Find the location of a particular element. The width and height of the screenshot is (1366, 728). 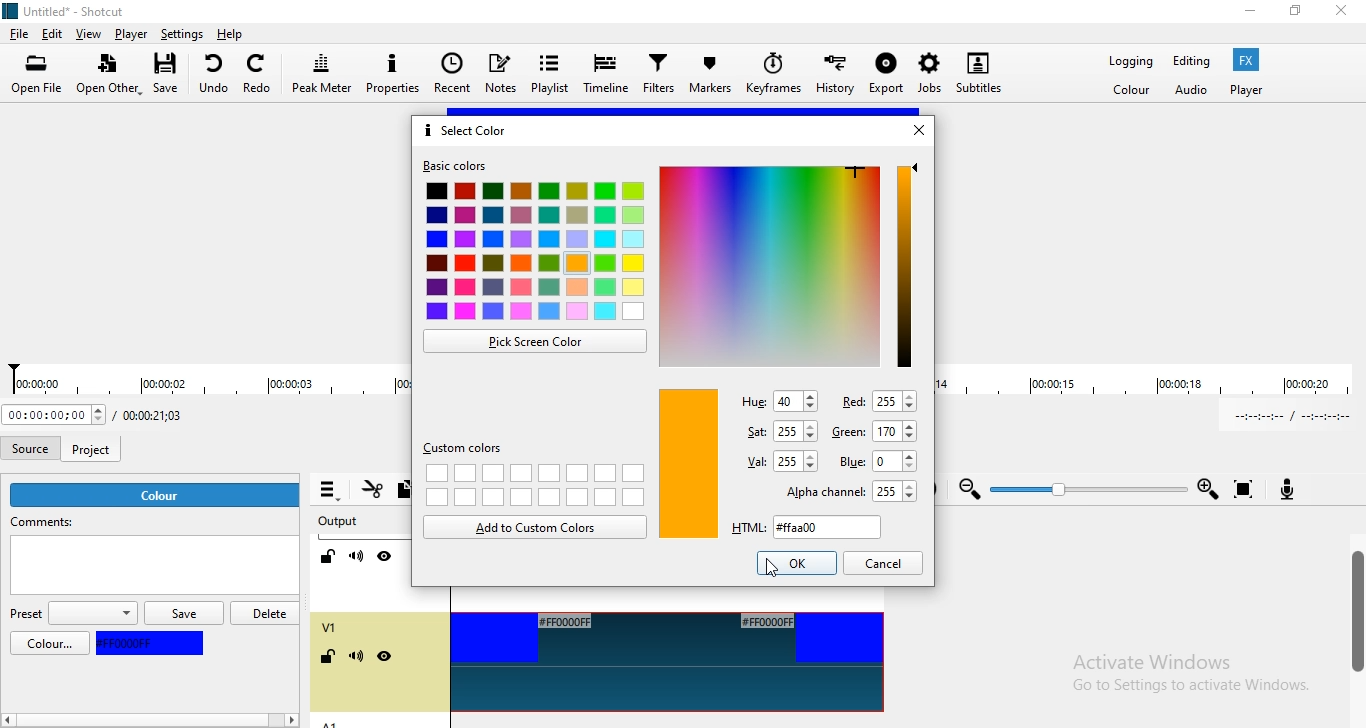

Total duration is located at coordinates (162, 415).